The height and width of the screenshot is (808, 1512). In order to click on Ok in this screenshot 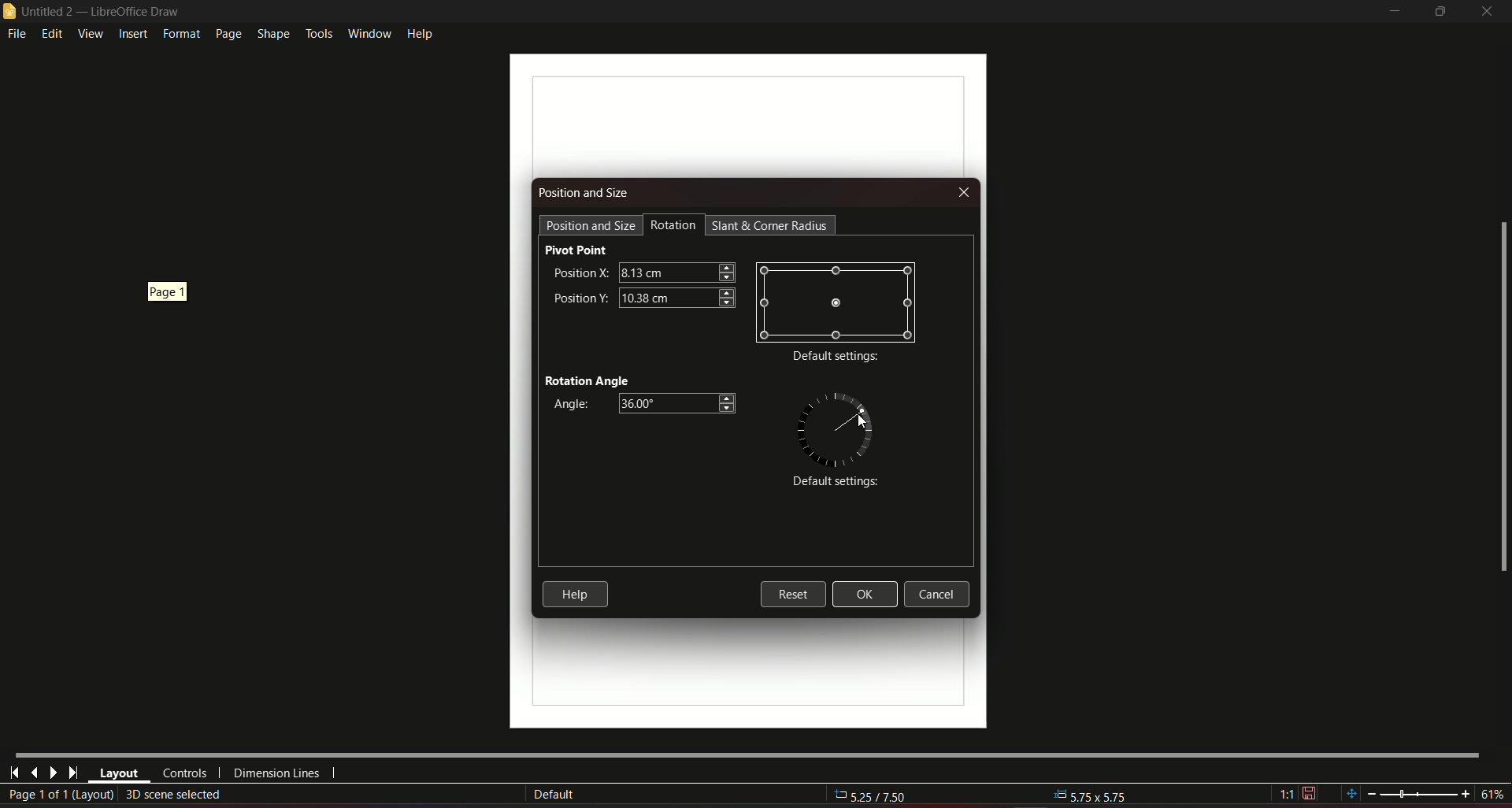, I will do `click(865, 595)`.